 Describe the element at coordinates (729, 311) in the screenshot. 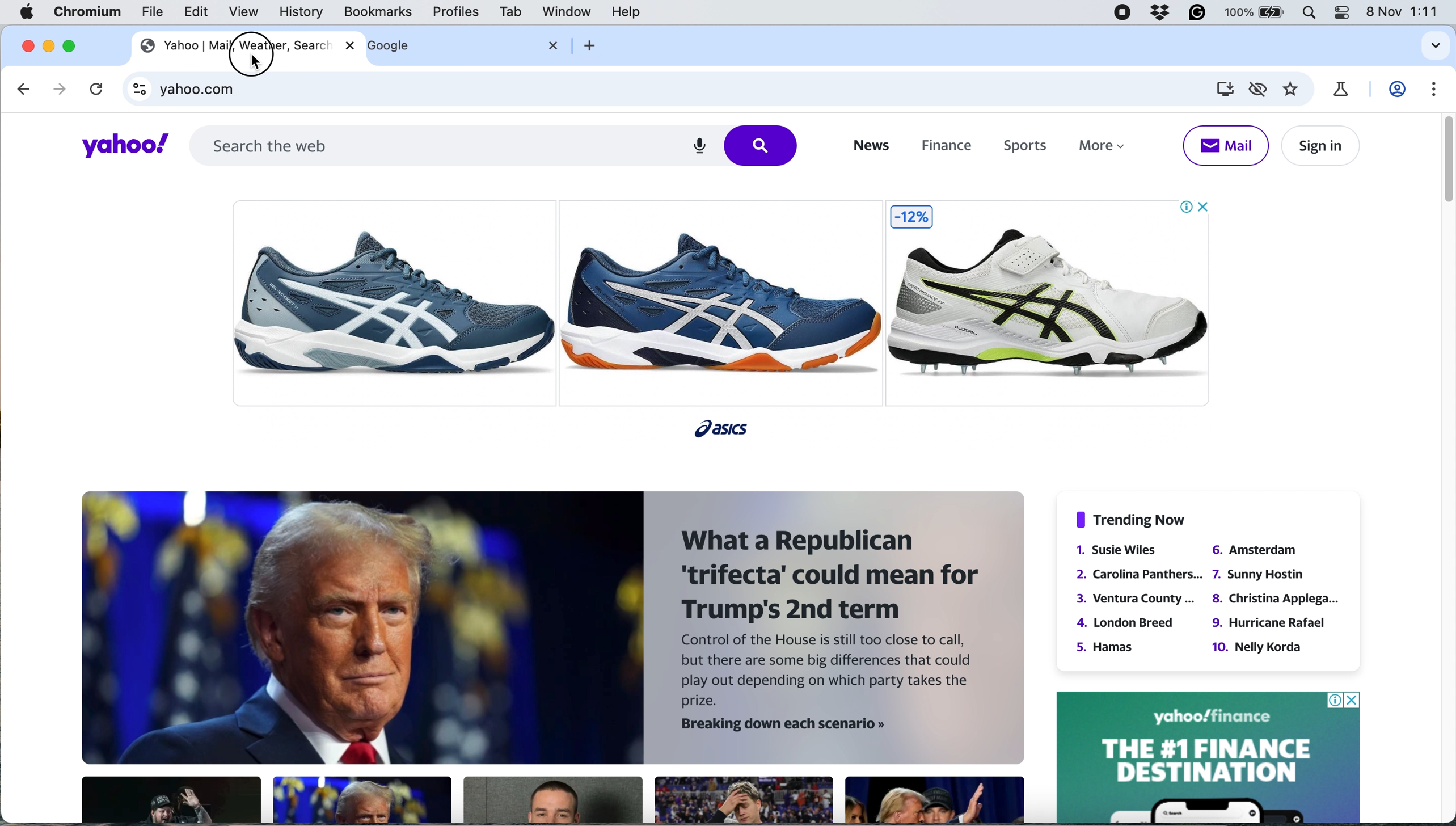

I see `ad` at that location.